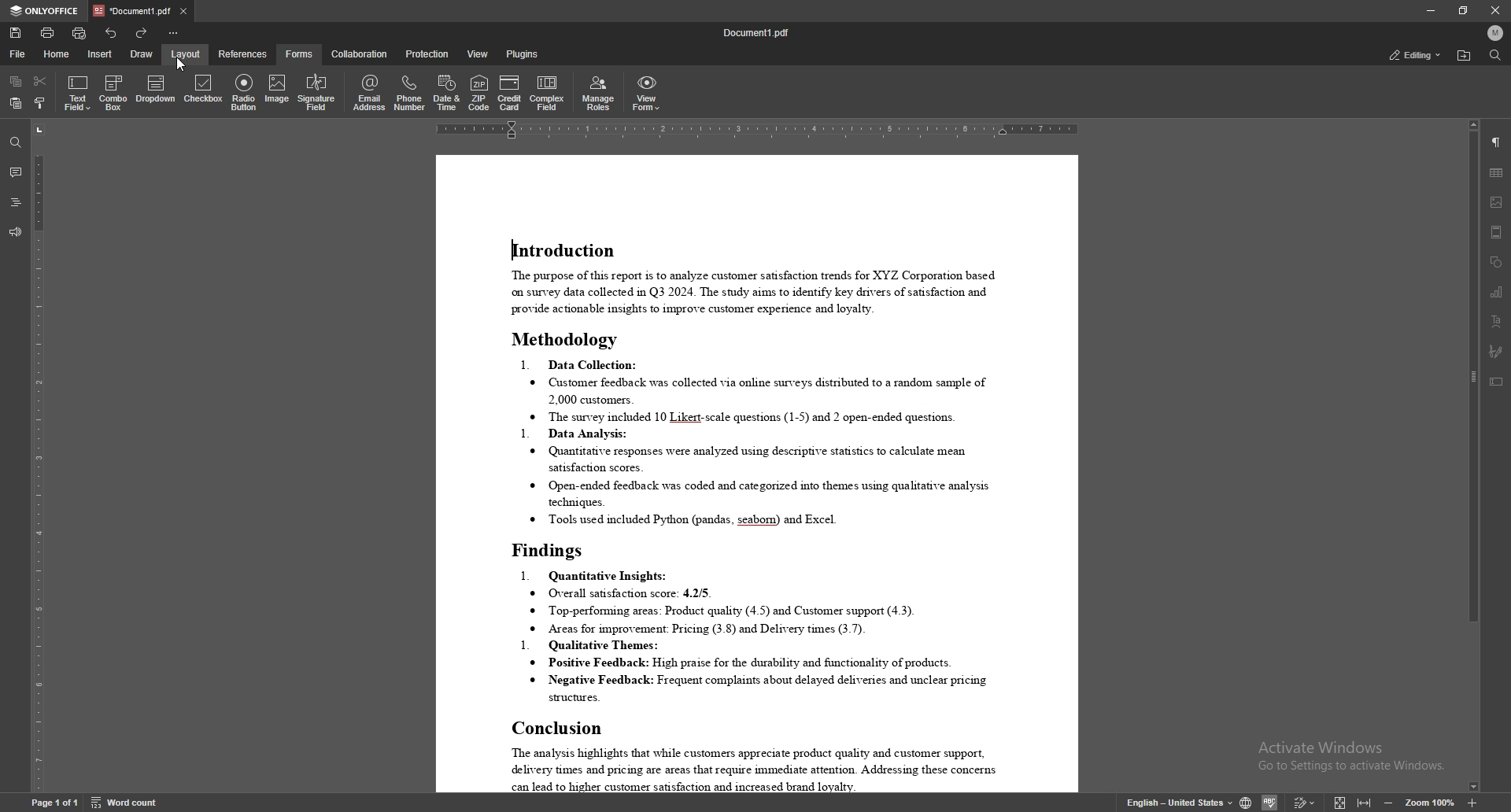 This screenshot has height=812, width=1511. I want to click on onlyoffice, so click(46, 12).